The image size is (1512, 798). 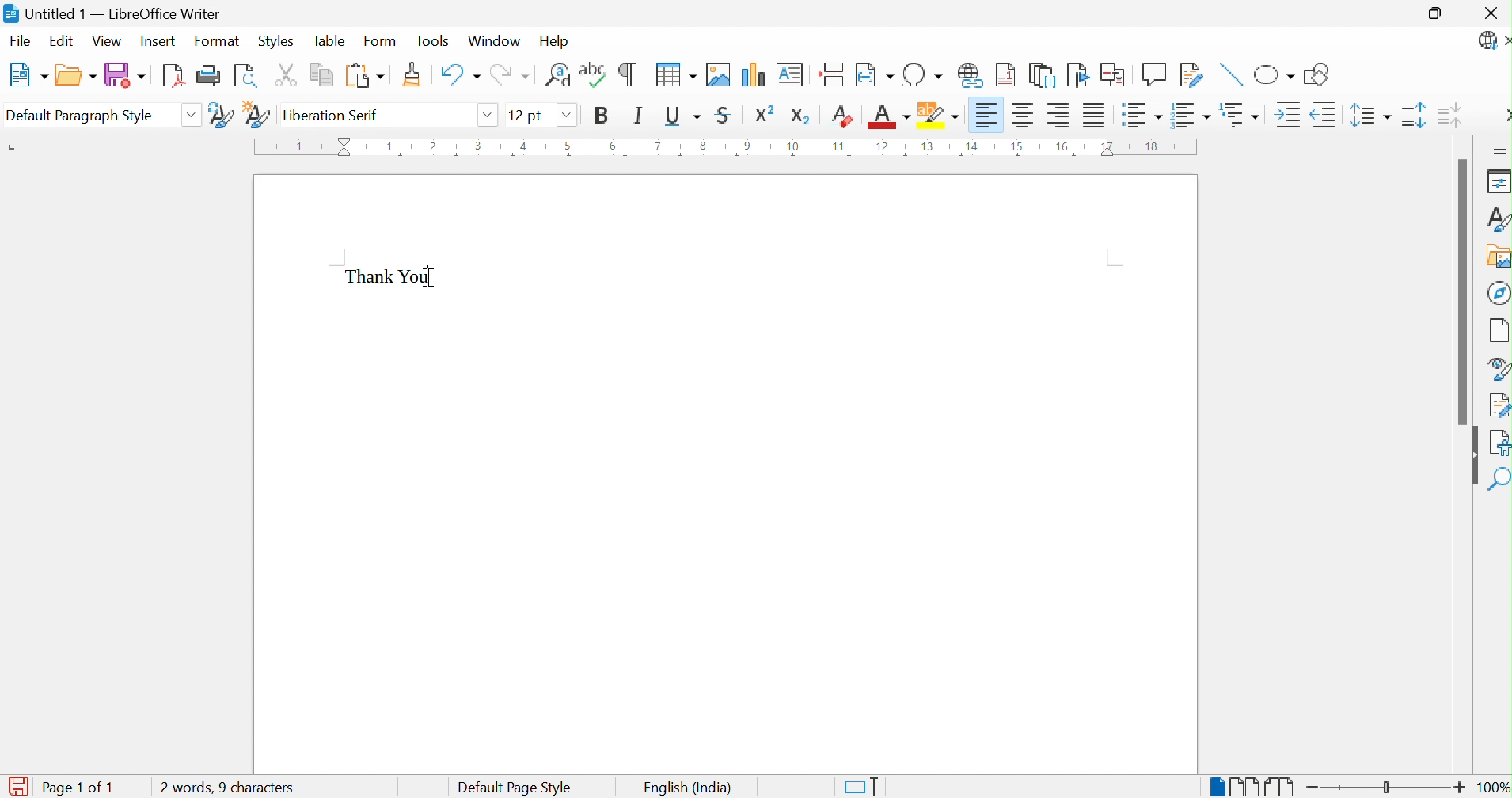 What do you see at coordinates (1382, 13) in the screenshot?
I see `Minimize` at bounding box center [1382, 13].